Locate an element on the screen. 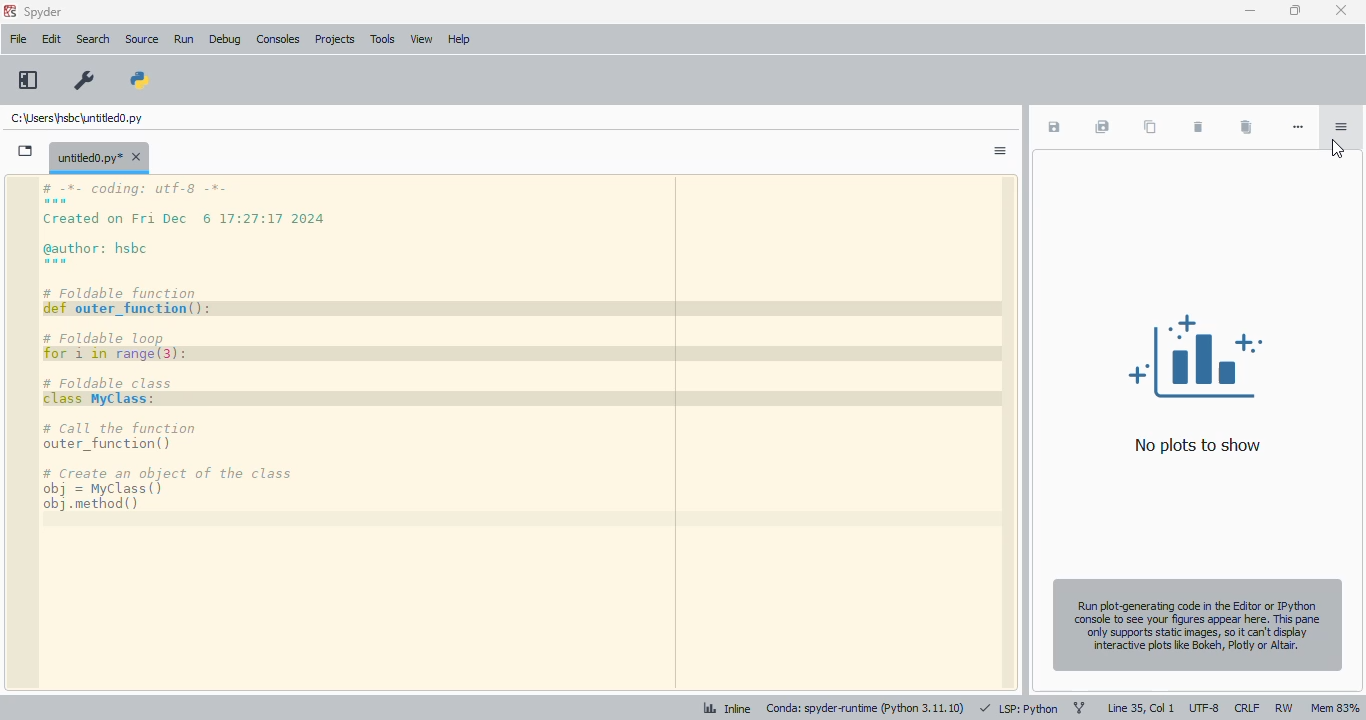  mem 83% is located at coordinates (1335, 707).